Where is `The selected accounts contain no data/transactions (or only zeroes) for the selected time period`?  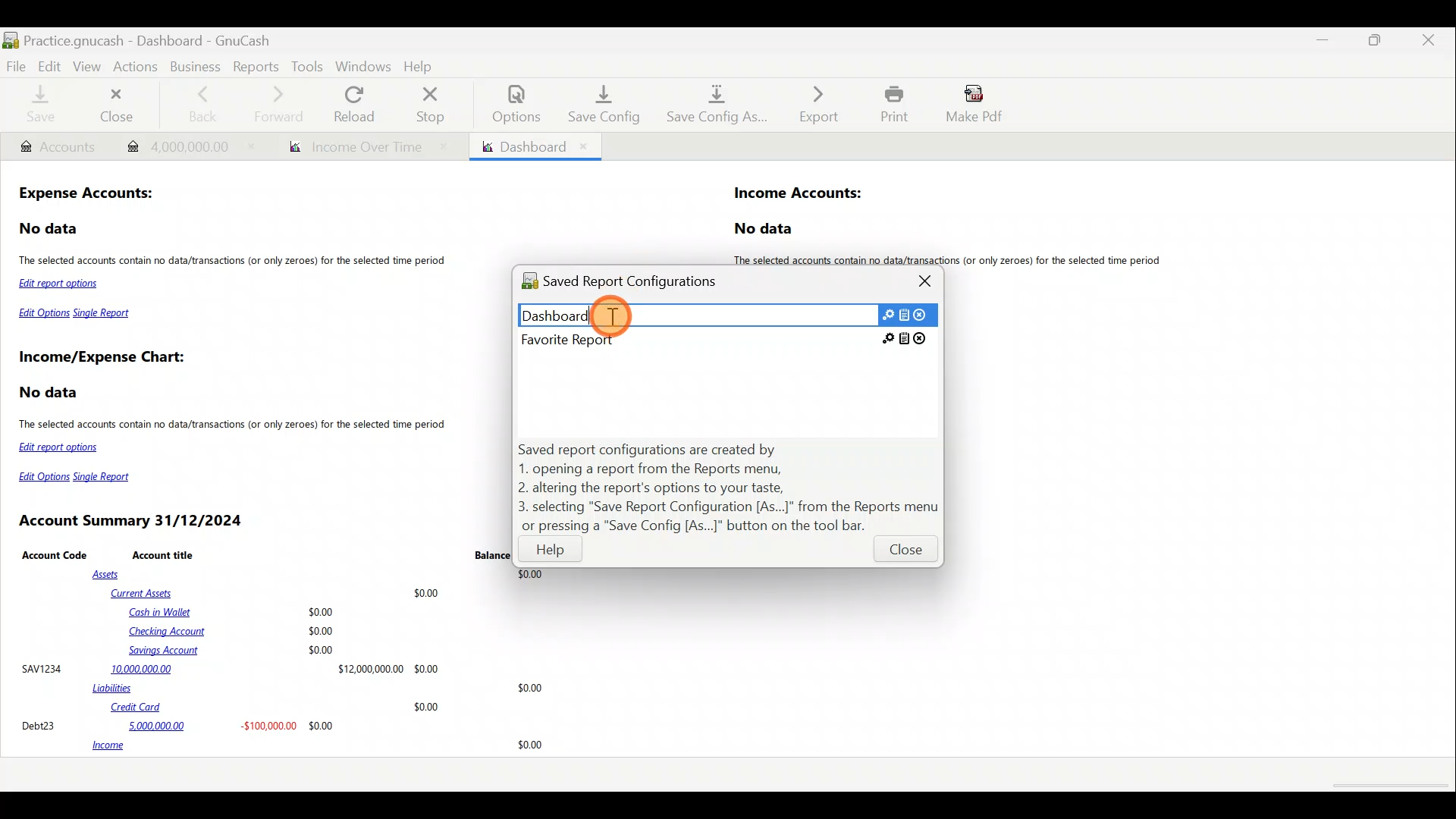
The selected accounts contain no data/transactions (or only zeroes) for the selected time period is located at coordinates (235, 262).